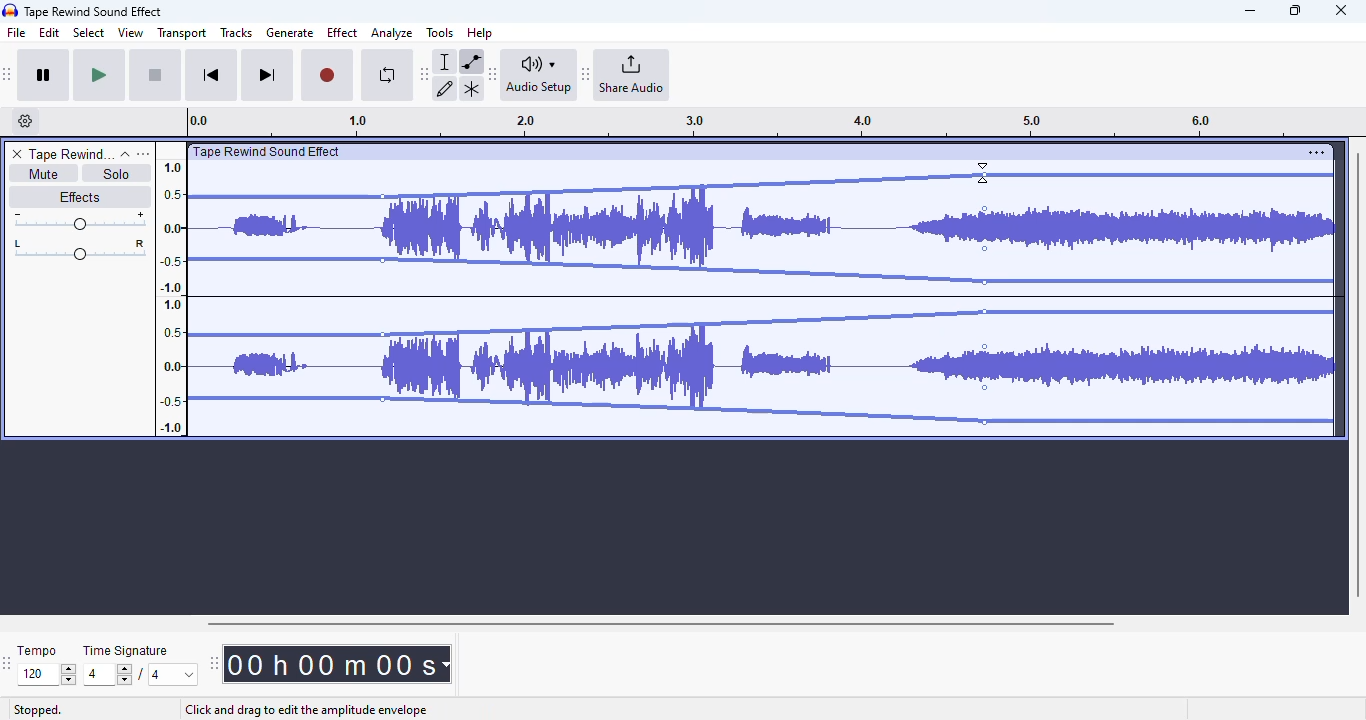 This screenshot has width=1366, height=720. I want to click on play, so click(99, 76).